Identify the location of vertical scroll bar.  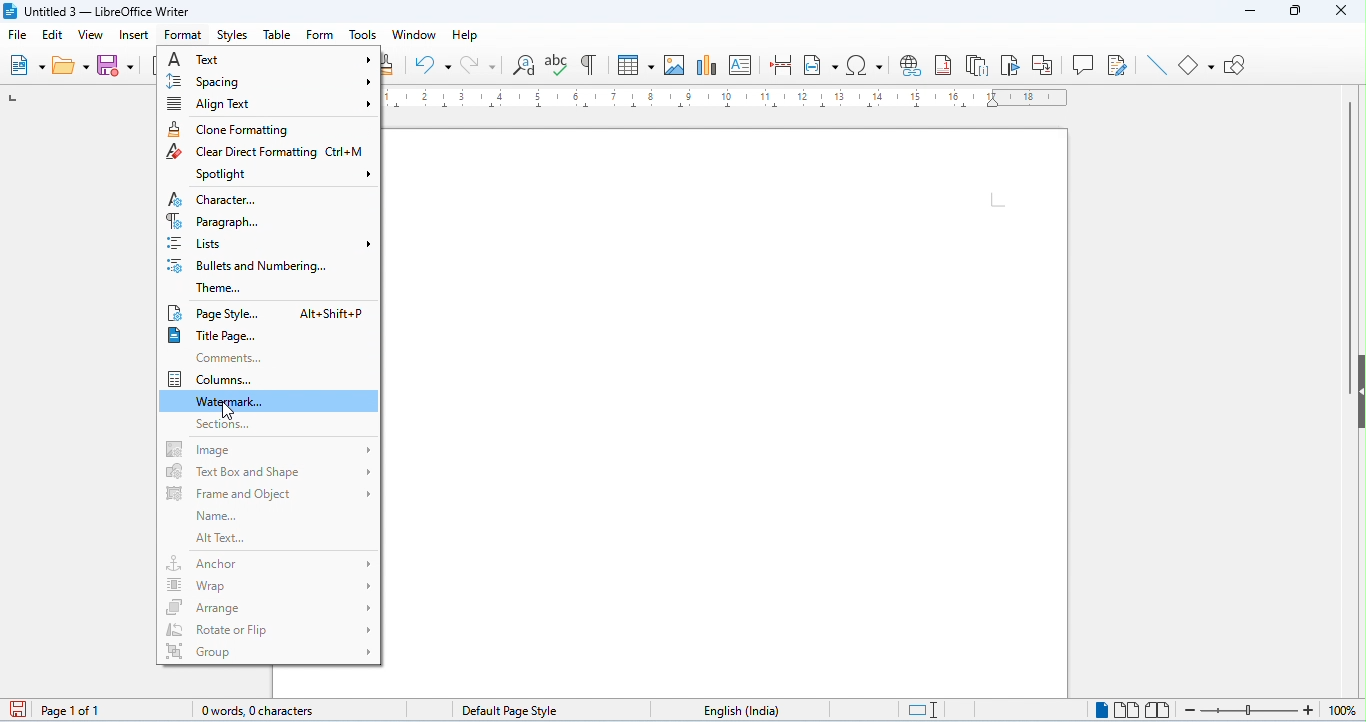
(1349, 247).